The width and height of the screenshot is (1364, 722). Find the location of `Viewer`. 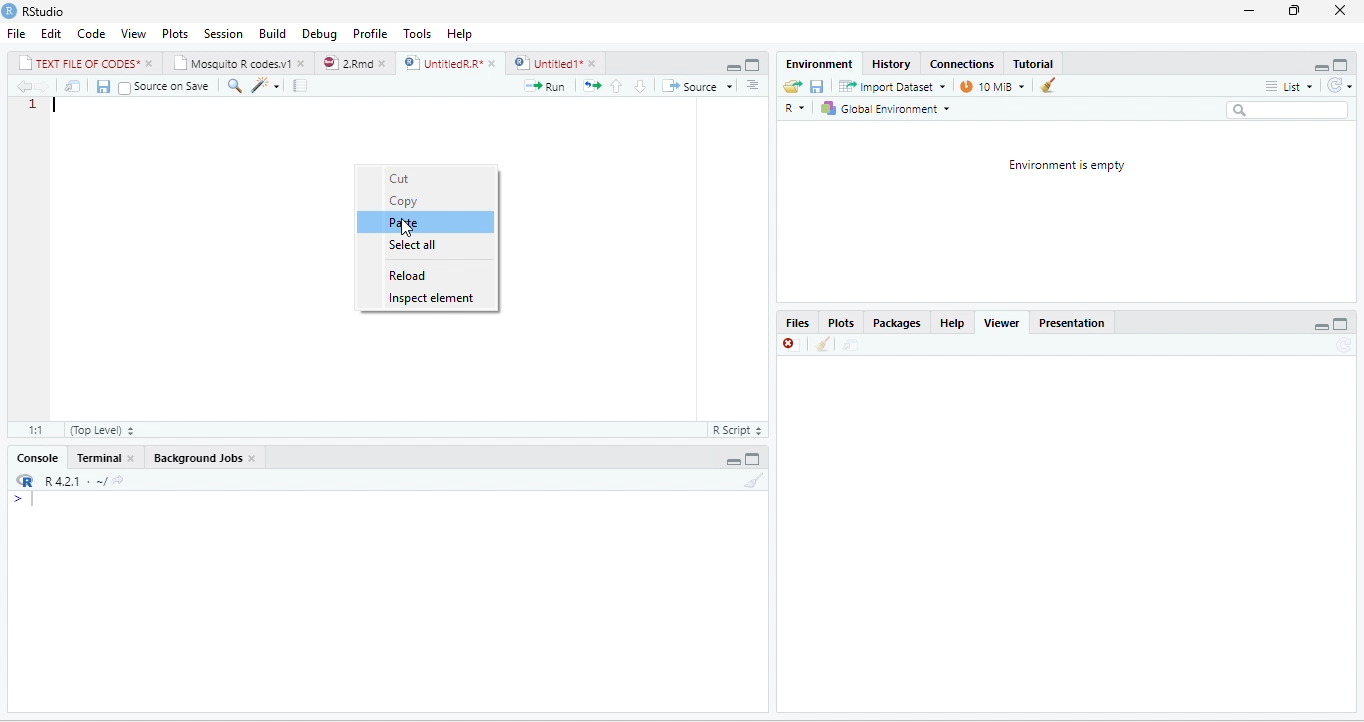

Viewer is located at coordinates (1007, 323).